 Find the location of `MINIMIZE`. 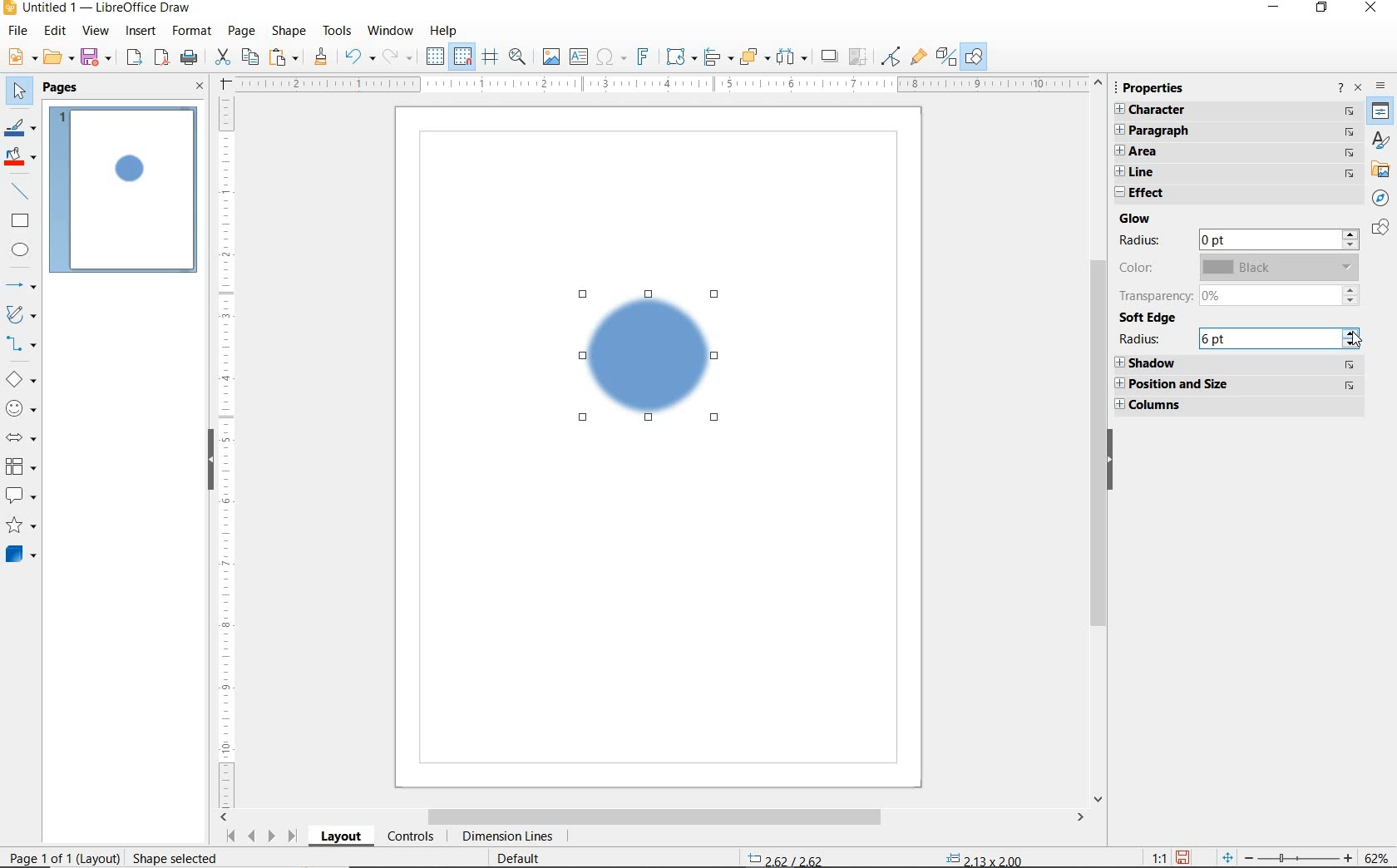

MINIMIZE is located at coordinates (1272, 8).